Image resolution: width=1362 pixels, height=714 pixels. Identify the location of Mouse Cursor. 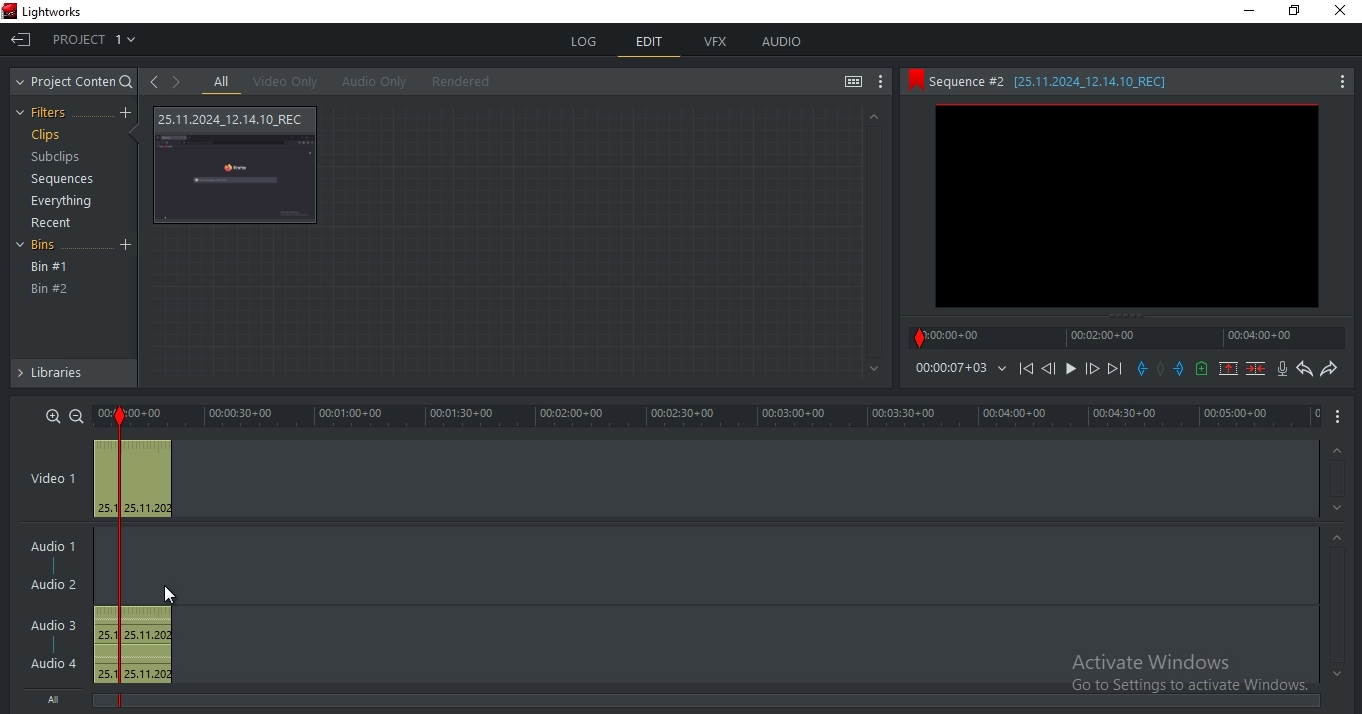
(168, 593).